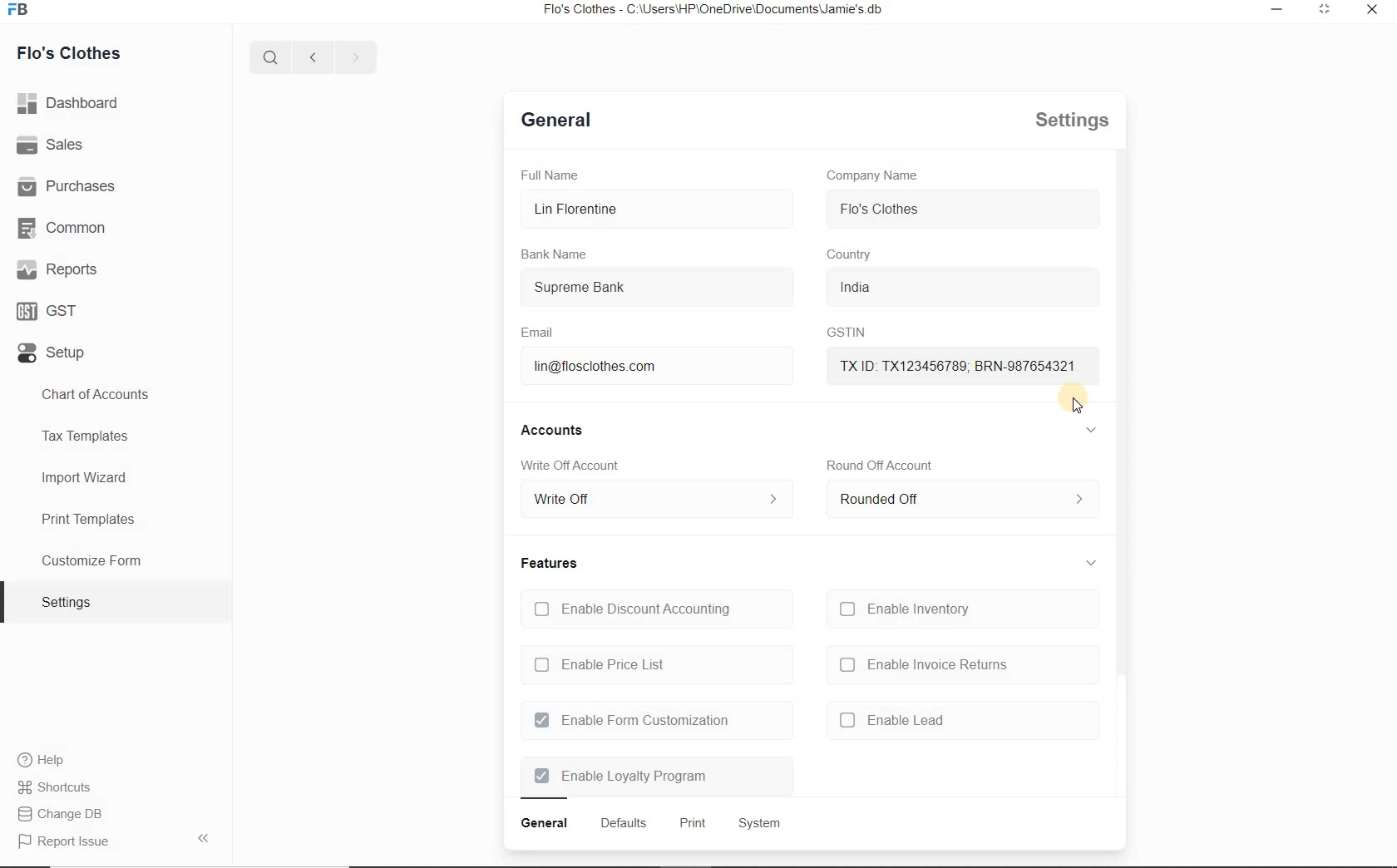  What do you see at coordinates (67, 601) in the screenshot?
I see `settings` at bounding box center [67, 601].